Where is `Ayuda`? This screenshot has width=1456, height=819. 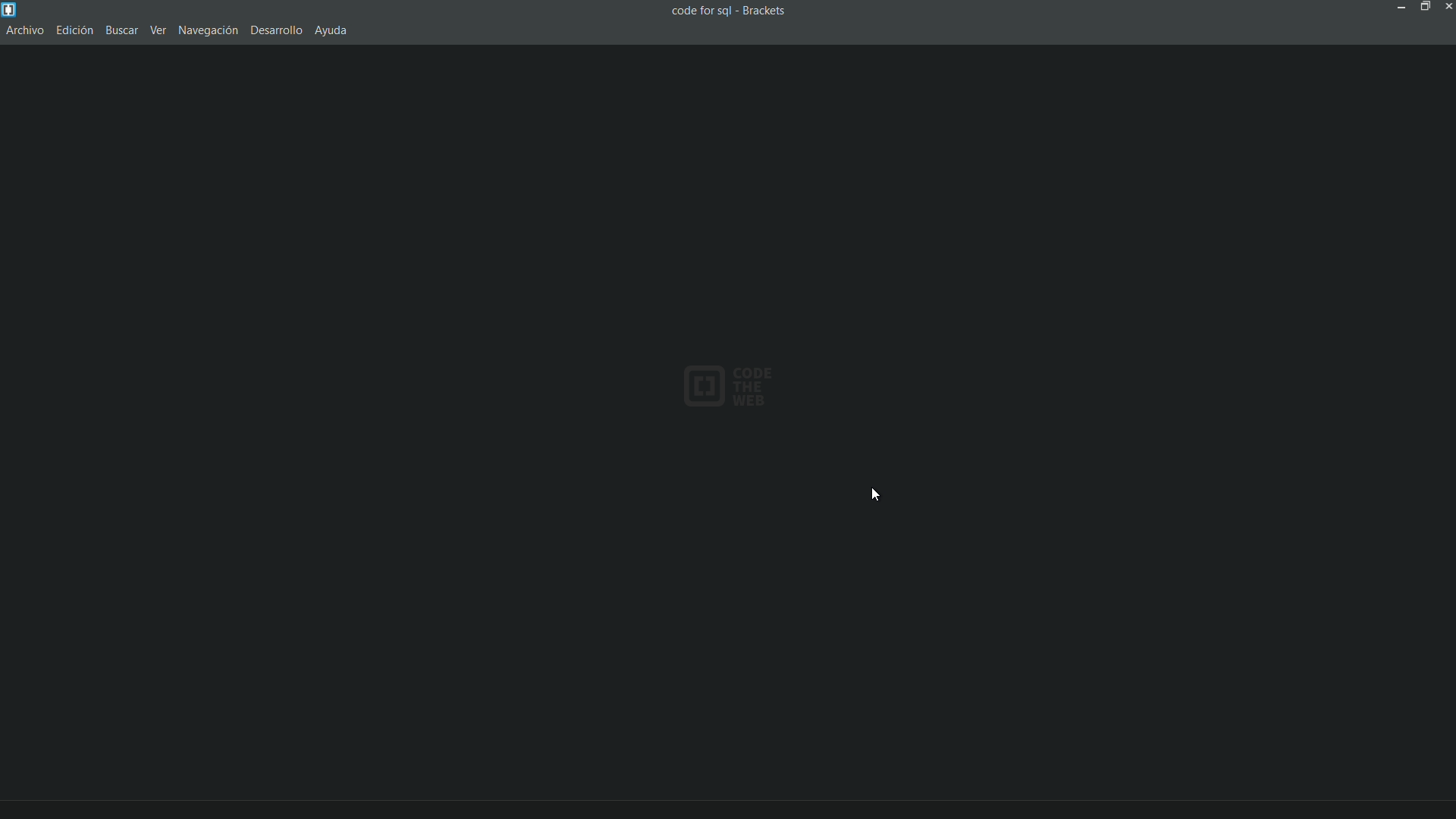
Ayuda is located at coordinates (331, 31).